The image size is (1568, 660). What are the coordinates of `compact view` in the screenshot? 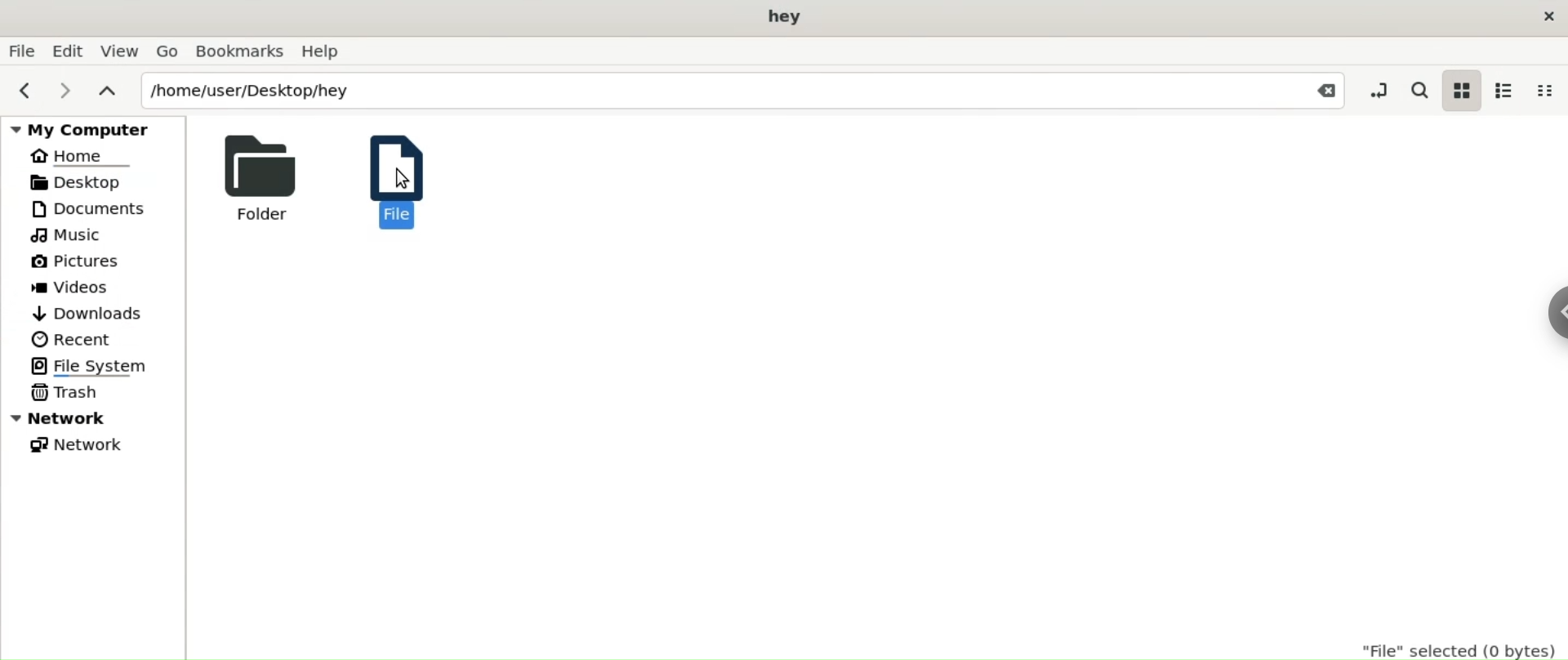 It's located at (1546, 91).